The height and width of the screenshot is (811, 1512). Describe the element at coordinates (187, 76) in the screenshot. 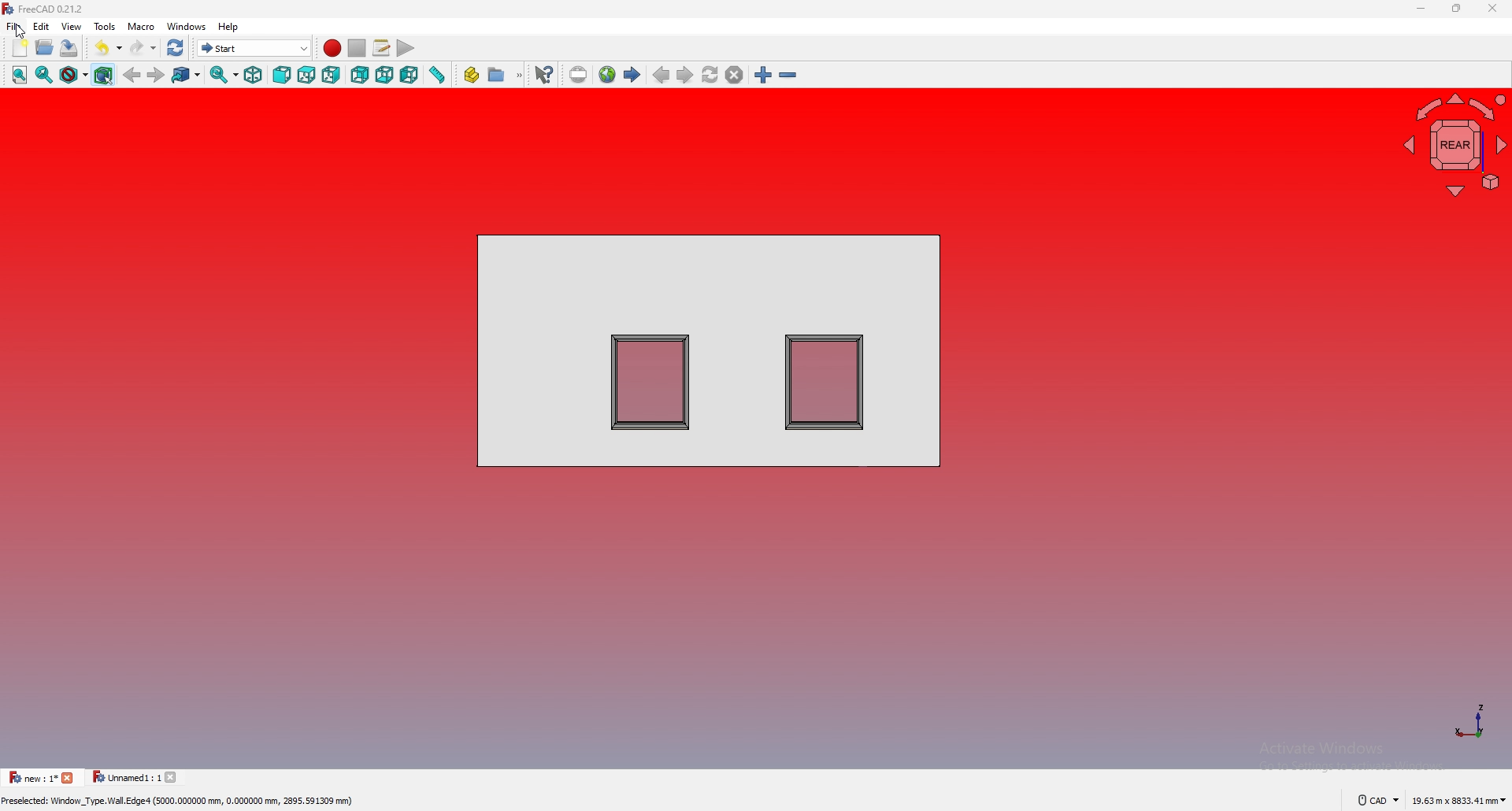

I see `go to linked object` at that location.